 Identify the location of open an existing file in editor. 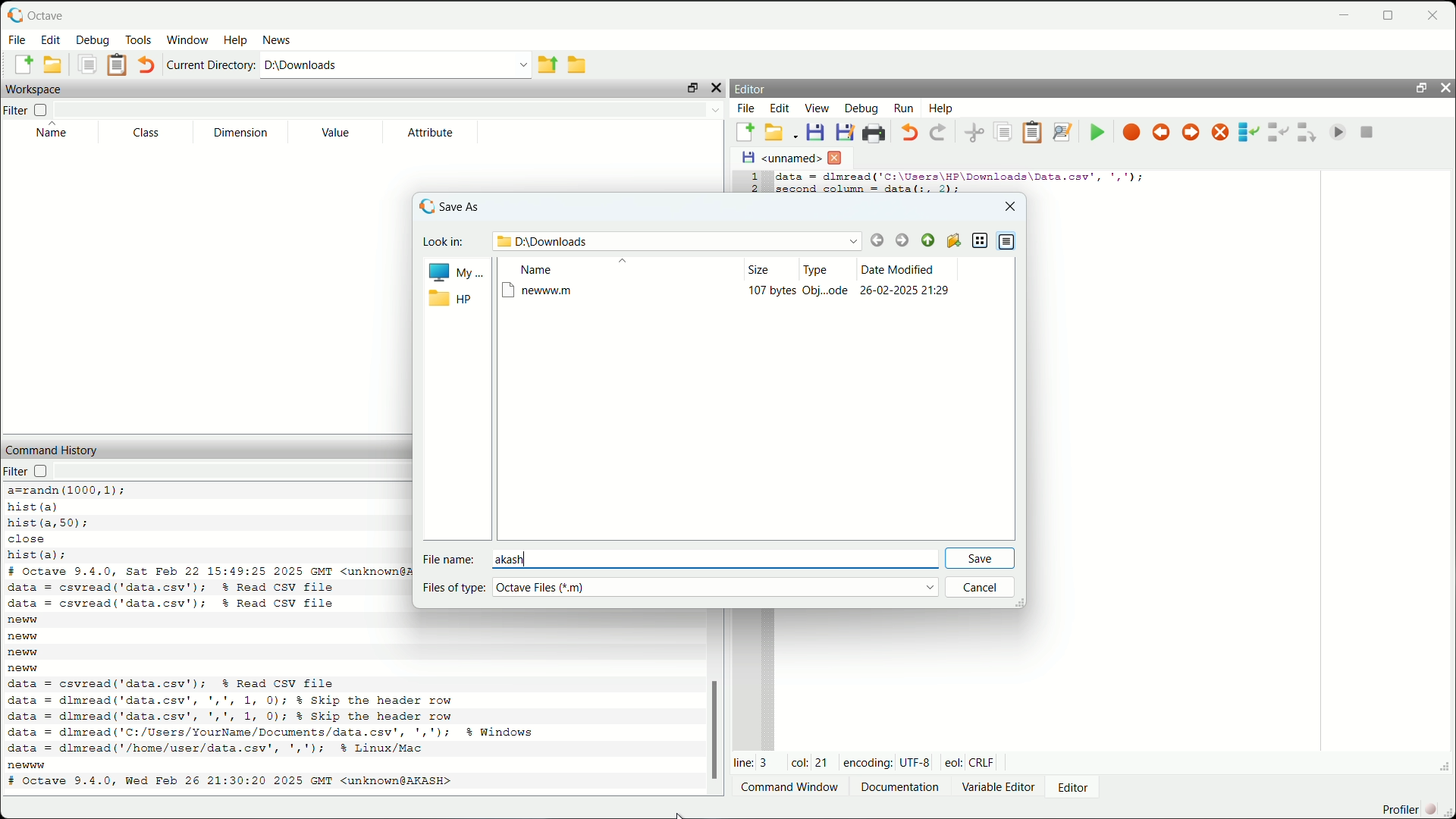
(56, 64).